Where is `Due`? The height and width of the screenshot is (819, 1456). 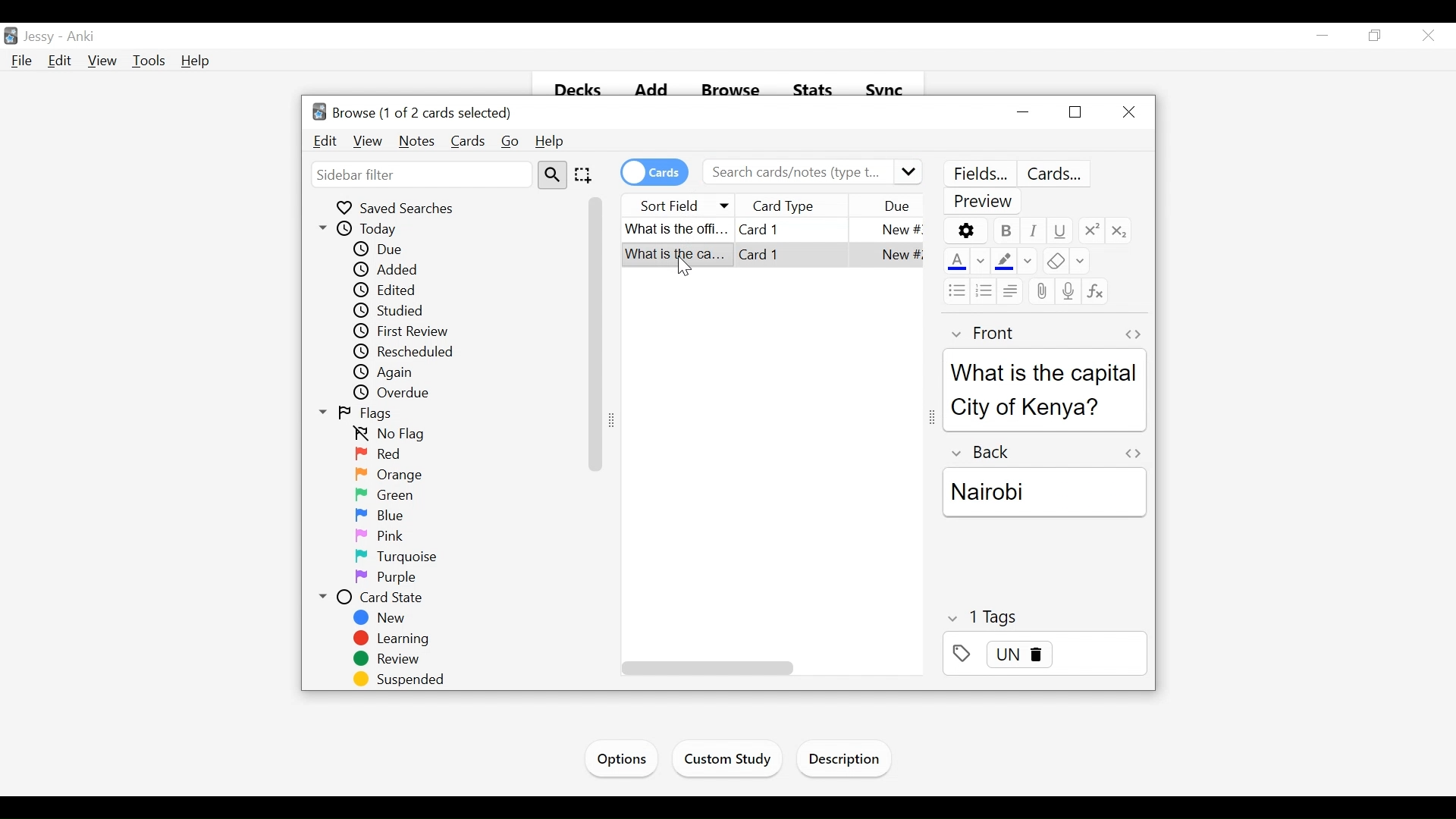
Due is located at coordinates (381, 249).